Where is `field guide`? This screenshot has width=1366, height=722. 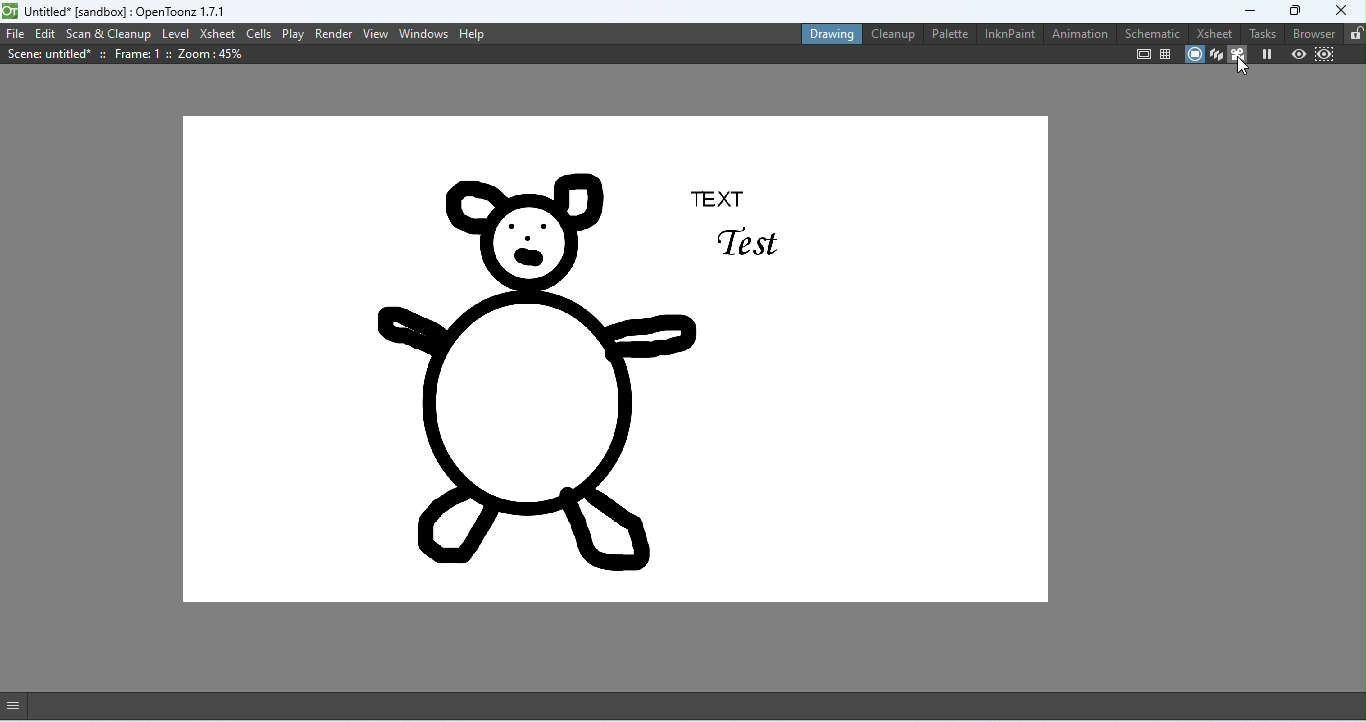
field guide is located at coordinates (1166, 54).